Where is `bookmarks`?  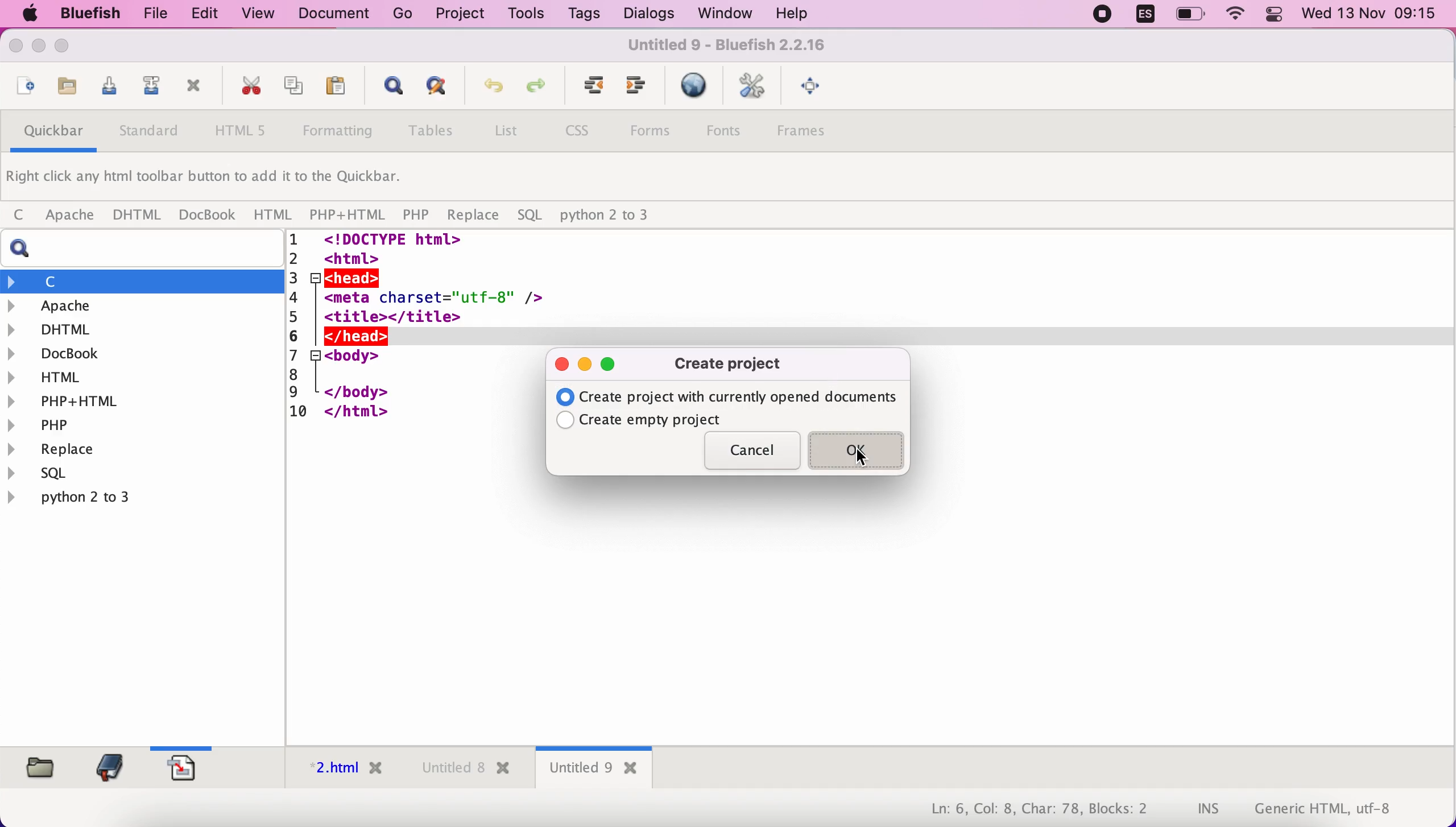
bookmarks is located at coordinates (106, 767).